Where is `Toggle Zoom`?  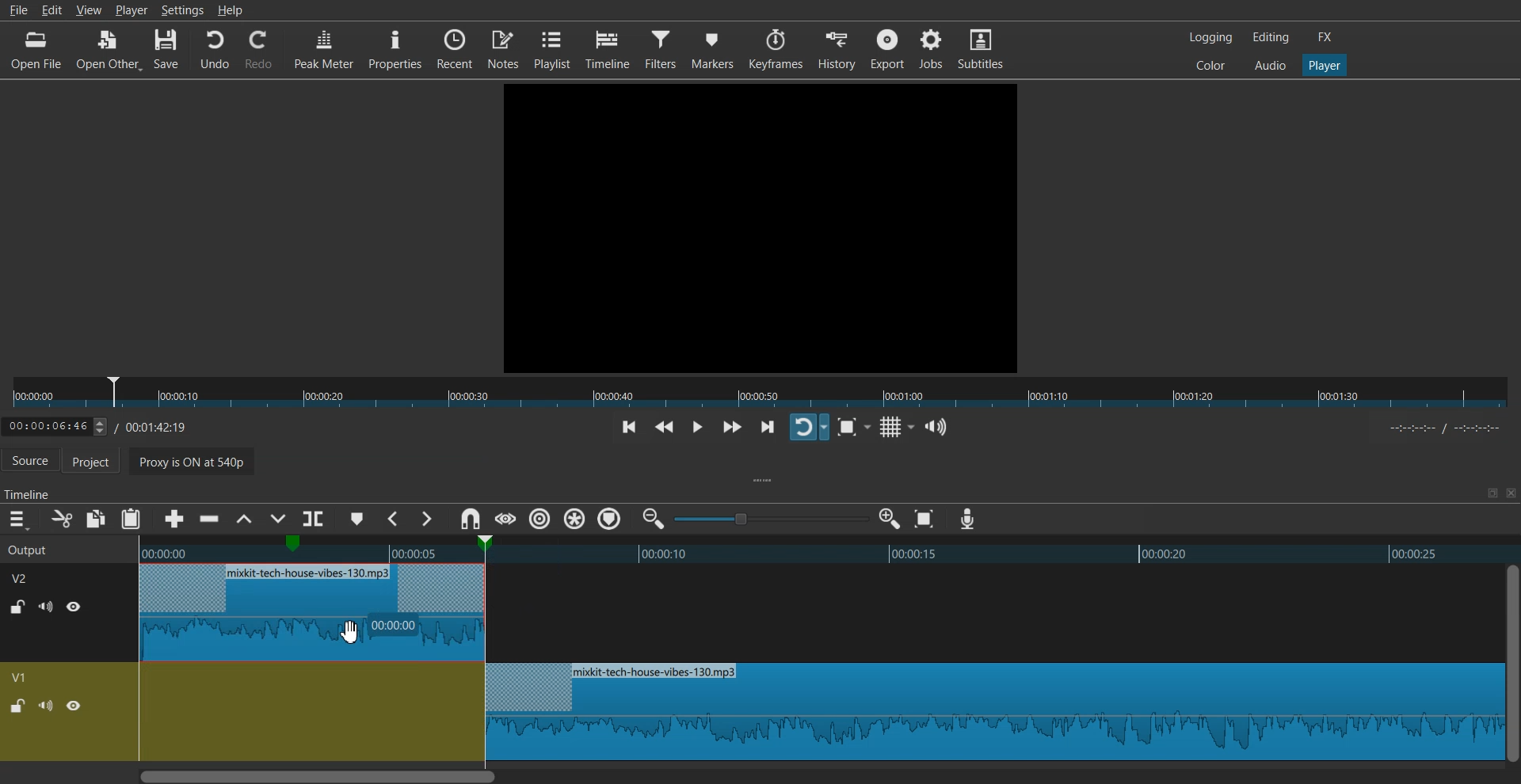 Toggle Zoom is located at coordinates (849, 428).